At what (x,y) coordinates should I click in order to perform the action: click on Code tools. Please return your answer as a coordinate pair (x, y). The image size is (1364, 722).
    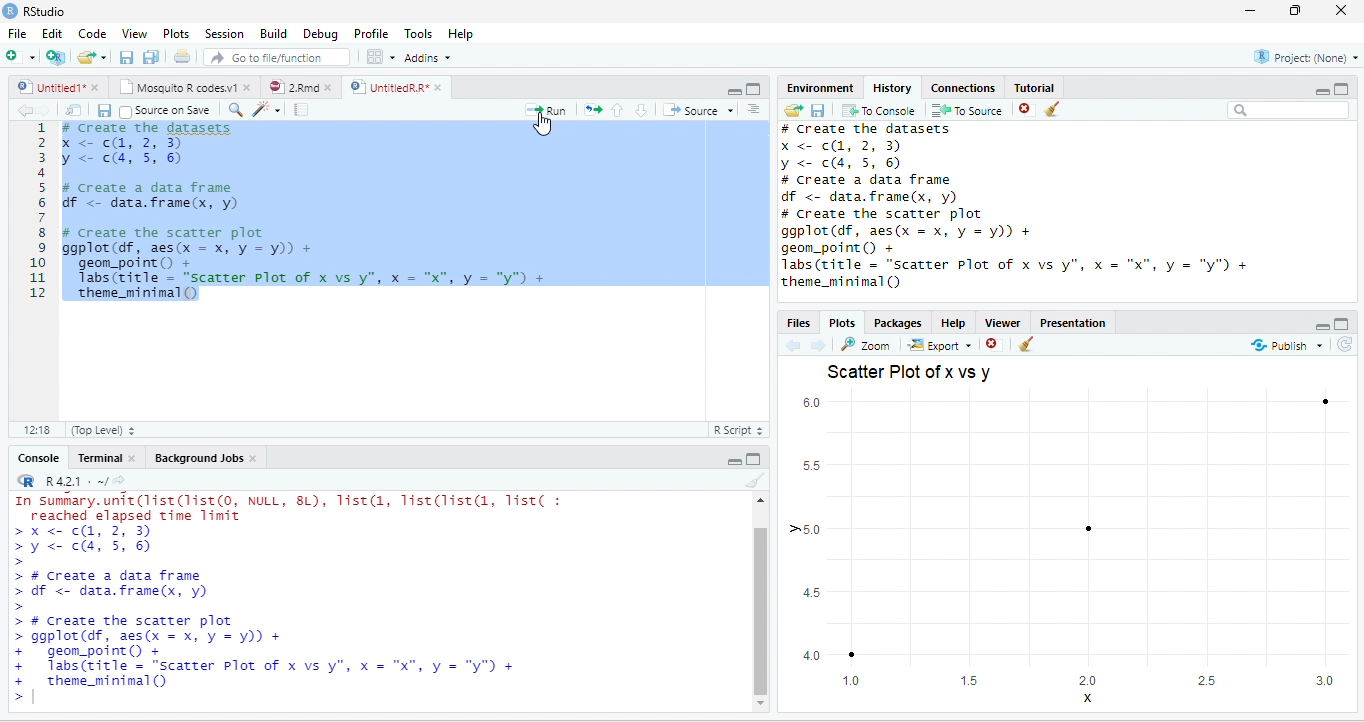
    Looking at the image, I should click on (268, 110).